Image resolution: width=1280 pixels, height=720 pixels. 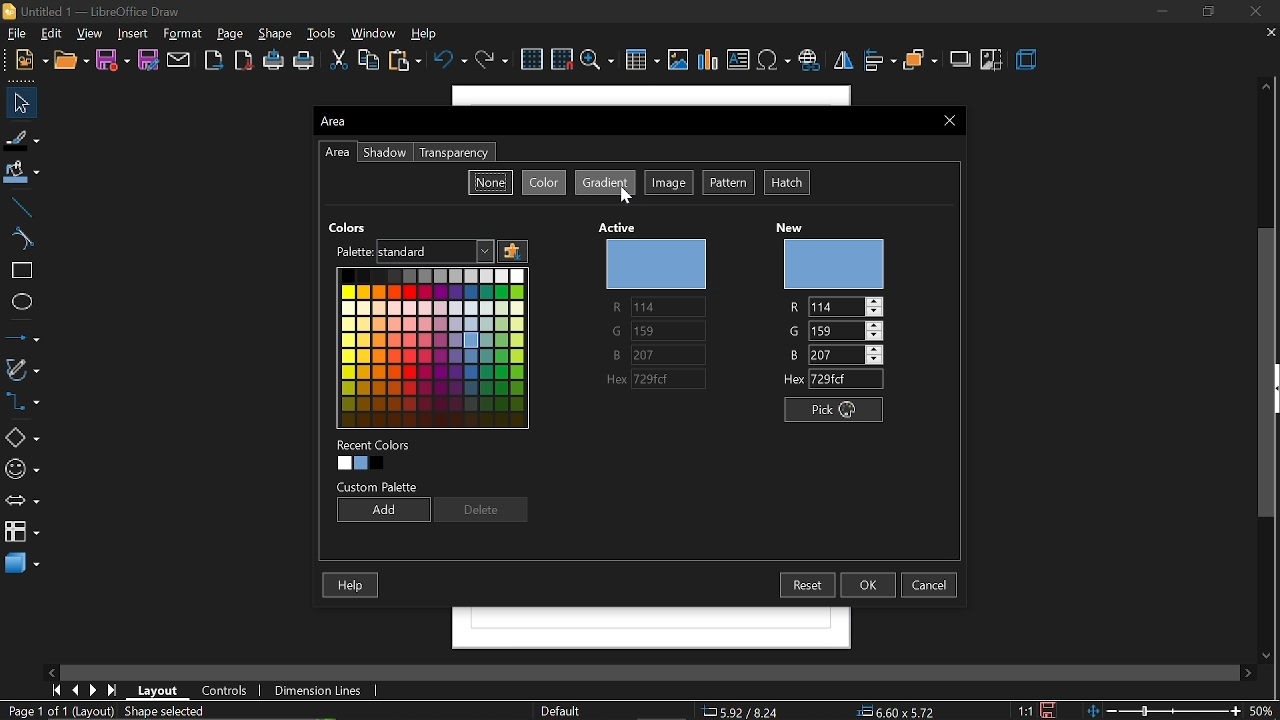 I want to click on 3d shapes, so click(x=20, y=564).